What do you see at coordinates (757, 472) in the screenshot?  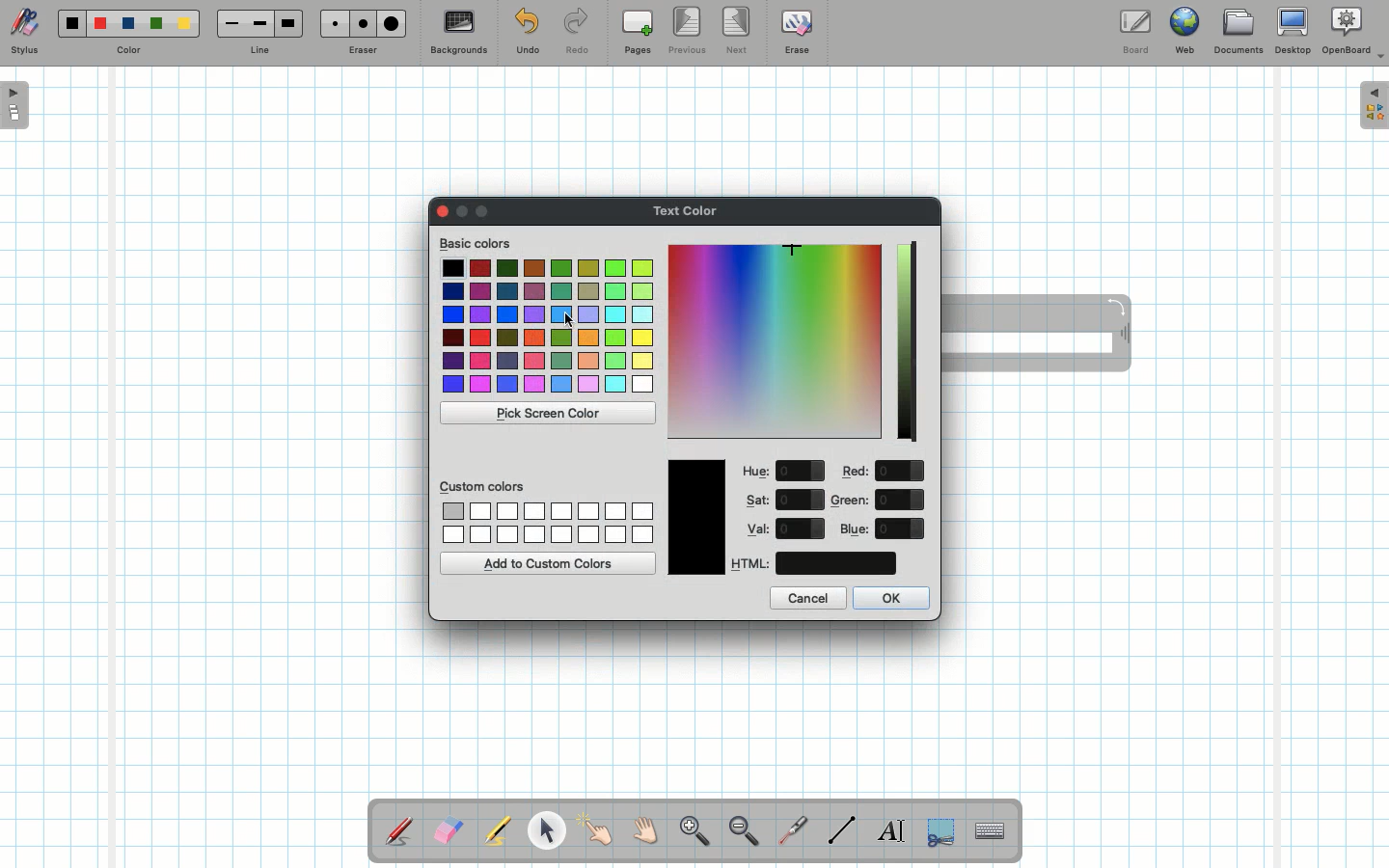 I see `Hue` at bounding box center [757, 472].